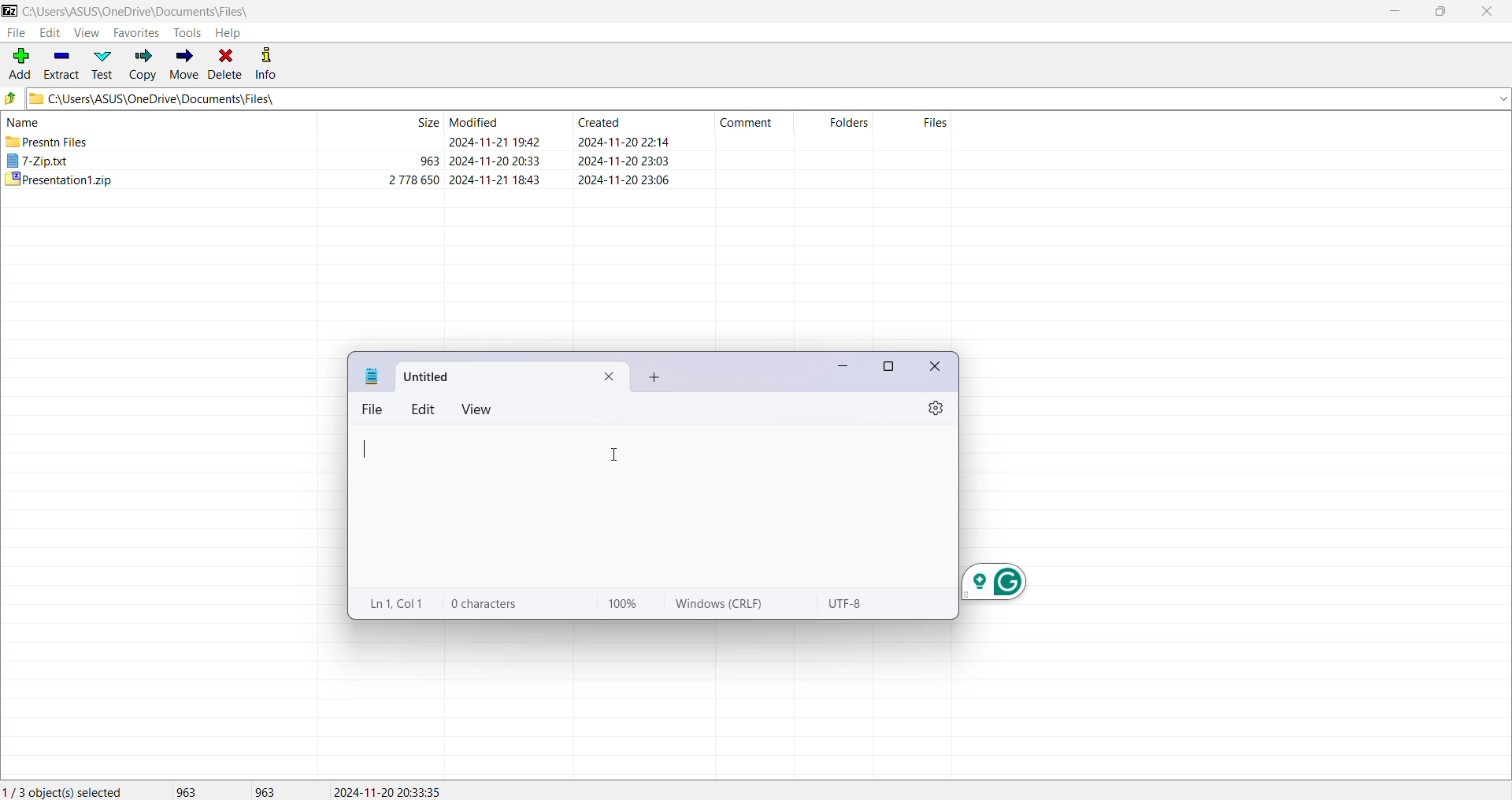 Image resolution: width=1512 pixels, height=800 pixels. I want to click on comment, so click(746, 122).